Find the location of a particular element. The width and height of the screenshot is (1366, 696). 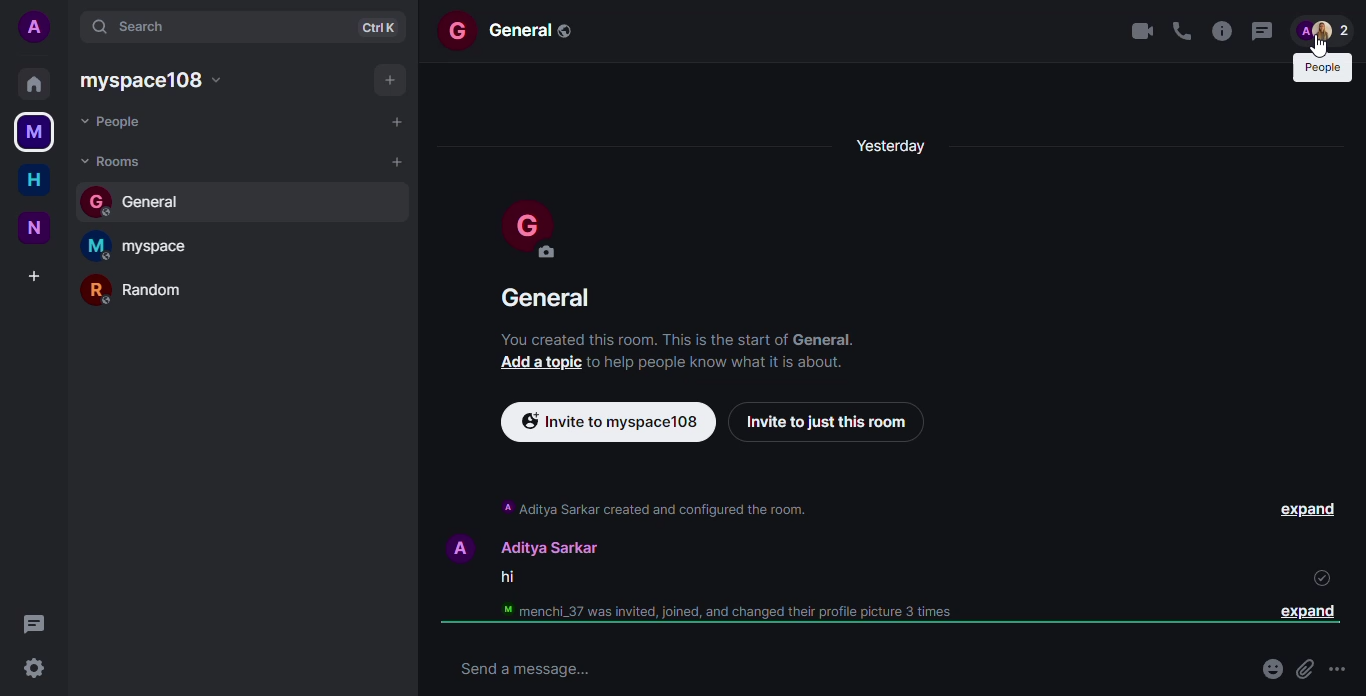

‘You created this room. This is the start of General. is located at coordinates (689, 340).